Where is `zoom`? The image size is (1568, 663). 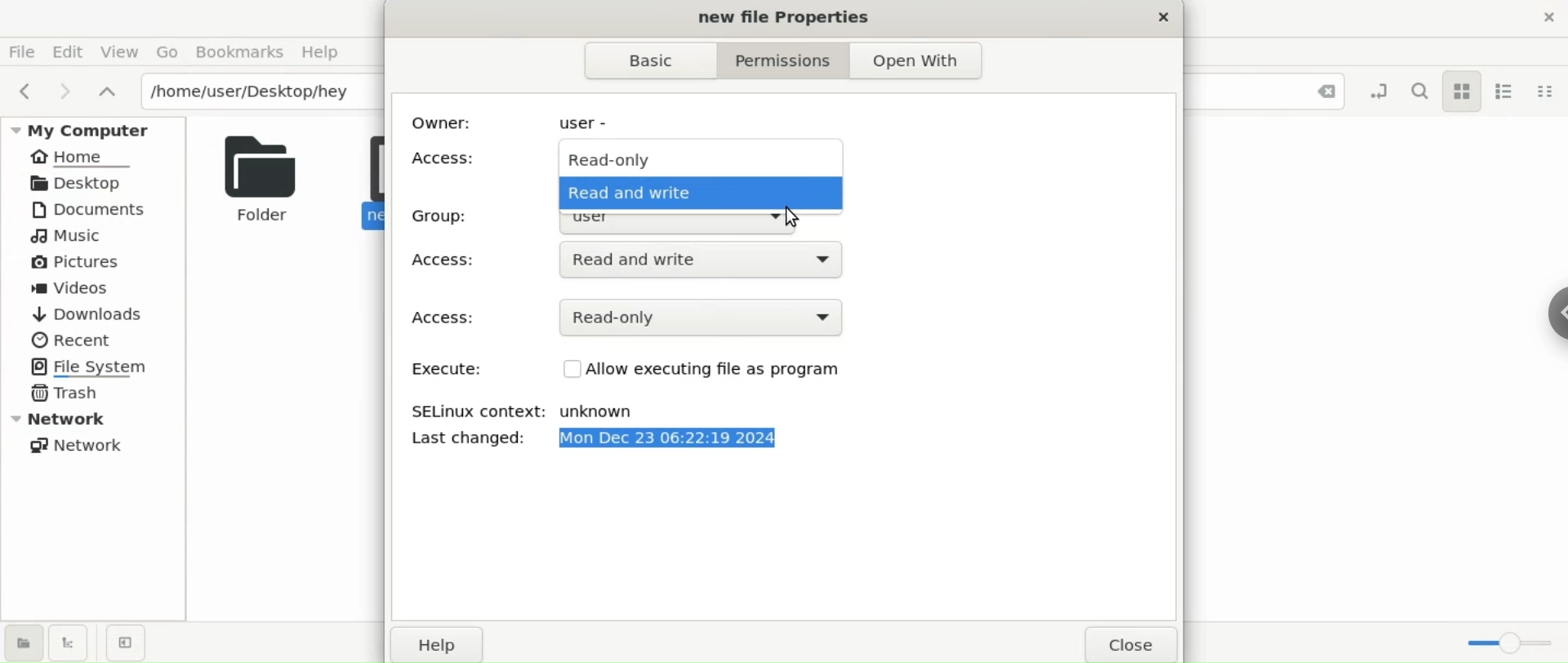
zoom is located at coordinates (1508, 643).